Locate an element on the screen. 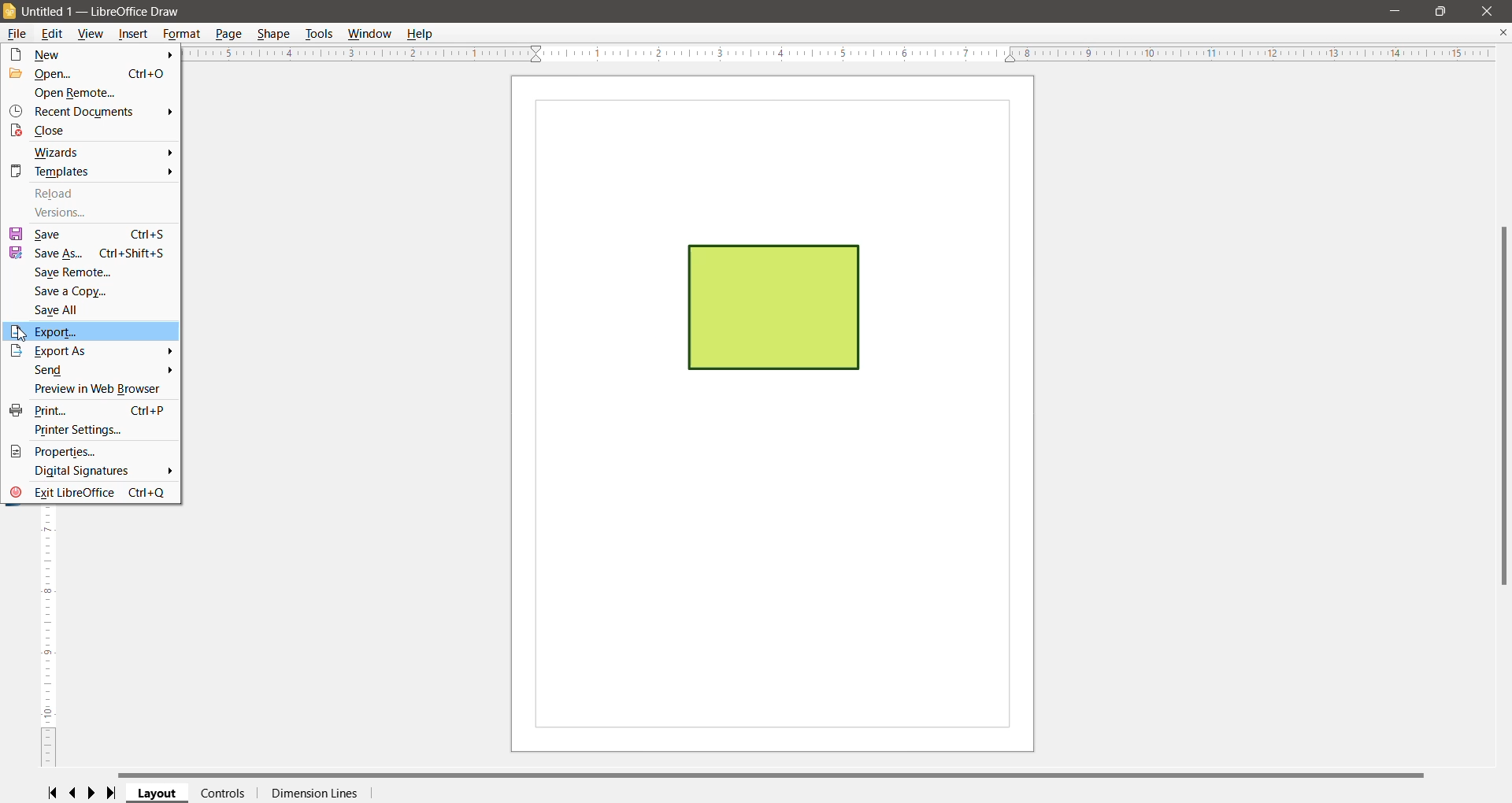 This screenshot has height=803, width=1512. Scroll to next page is located at coordinates (95, 793).